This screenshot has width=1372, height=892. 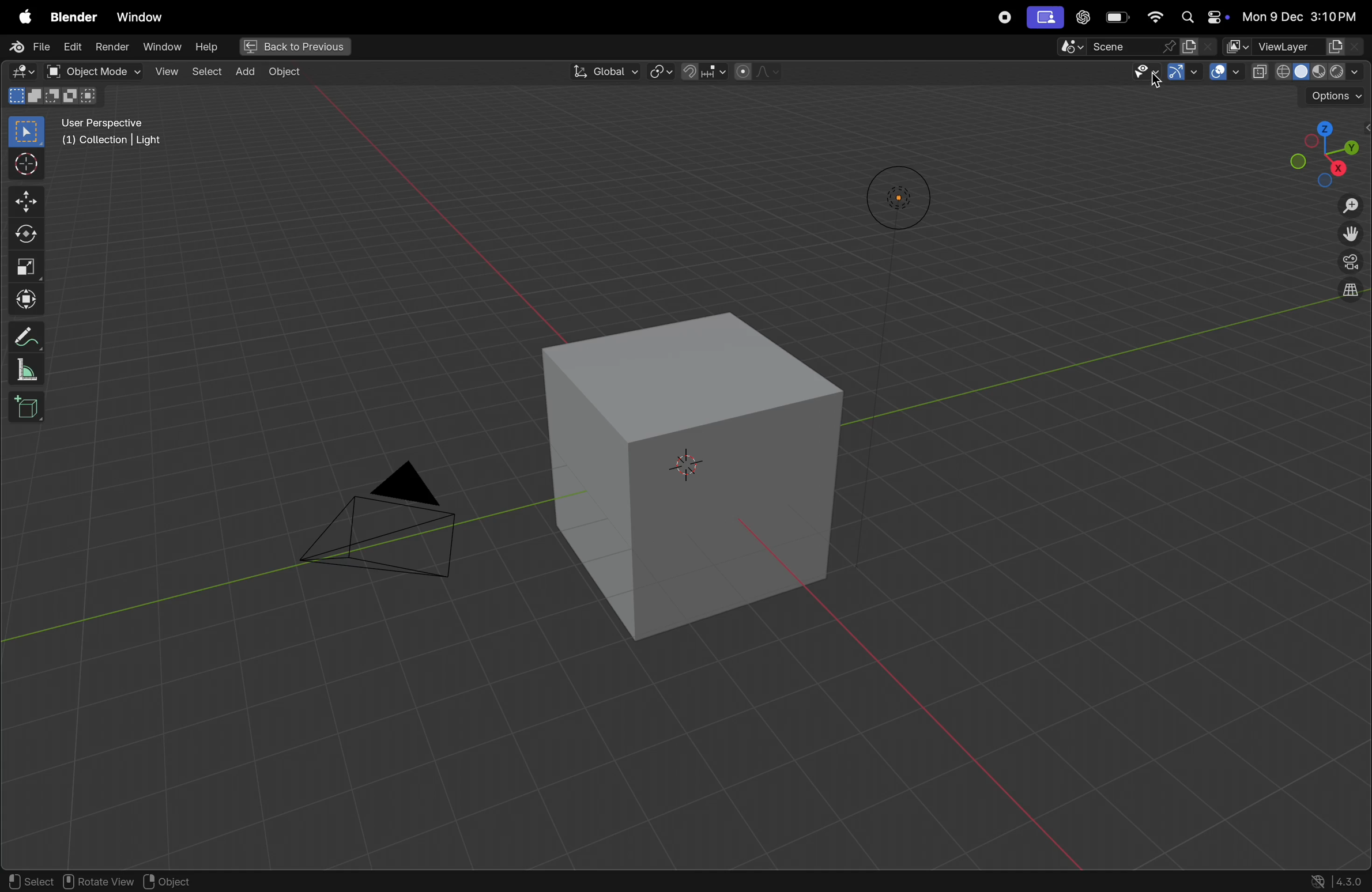 What do you see at coordinates (891, 198) in the screenshot?
I see `lights` at bounding box center [891, 198].